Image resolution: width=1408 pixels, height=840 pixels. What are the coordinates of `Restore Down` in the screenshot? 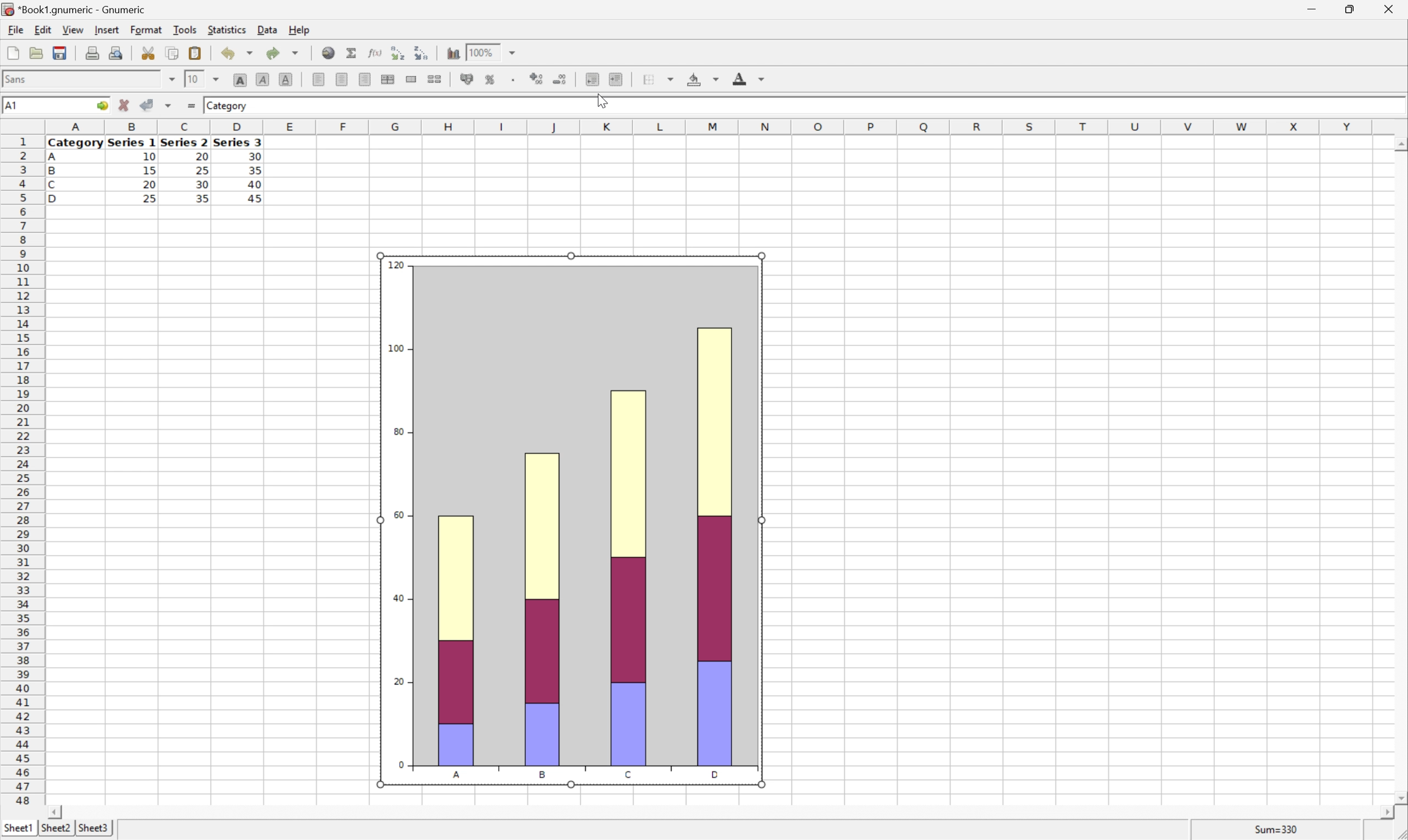 It's located at (1344, 9).